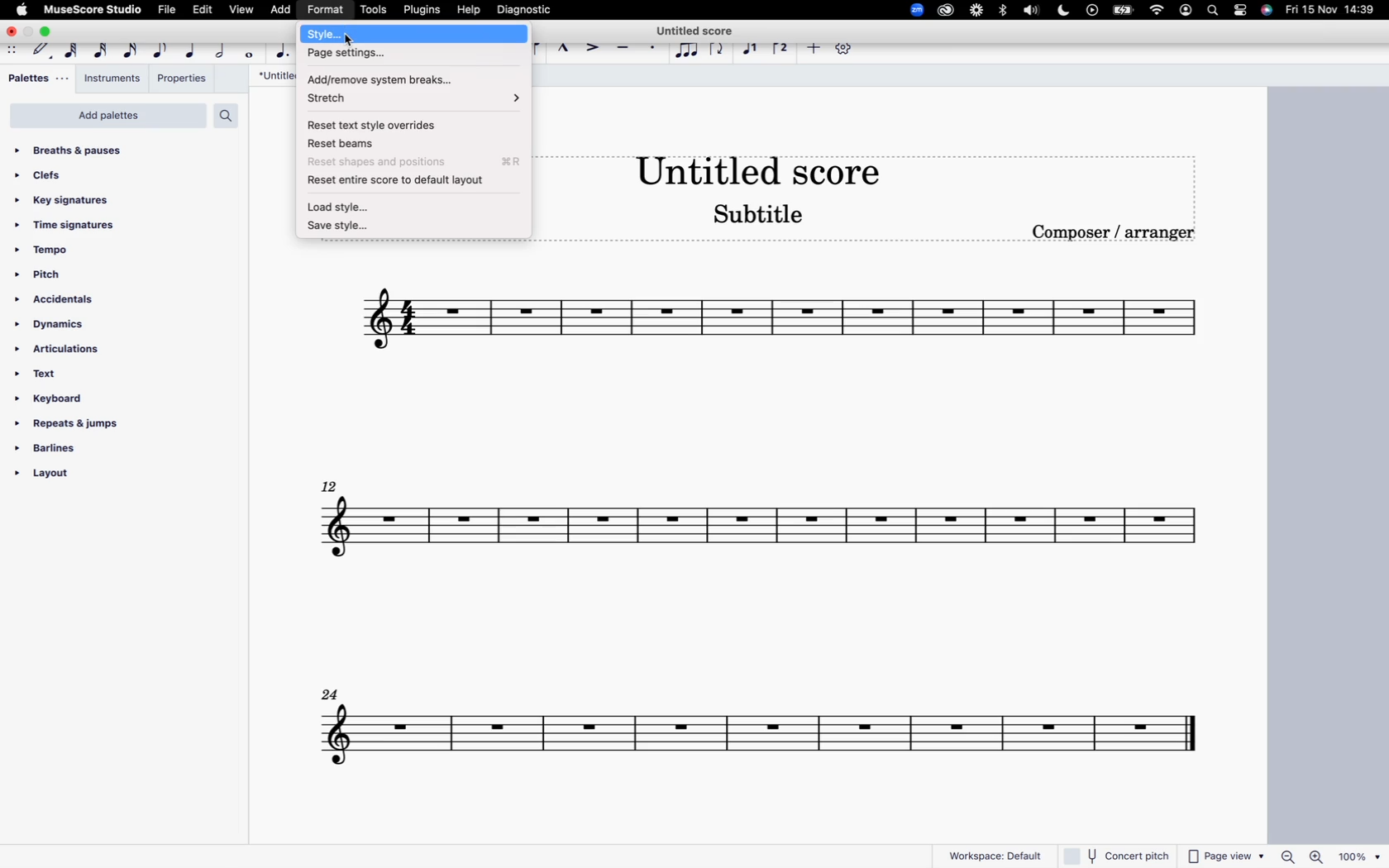 The height and width of the screenshot is (868, 1389). Describe the element at coordinates (1333, 12) in the screenshot. I see `date` at that location.